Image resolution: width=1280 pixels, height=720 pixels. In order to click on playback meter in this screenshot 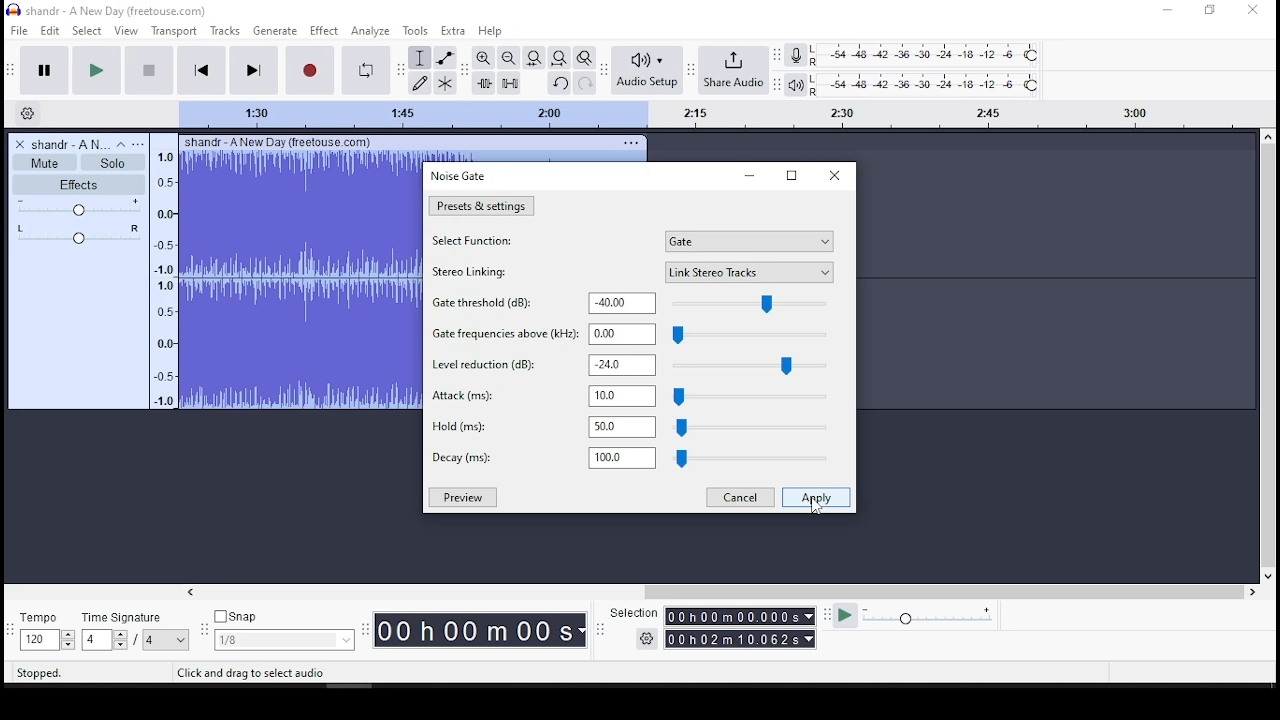, I will do `click(794, 84)`.